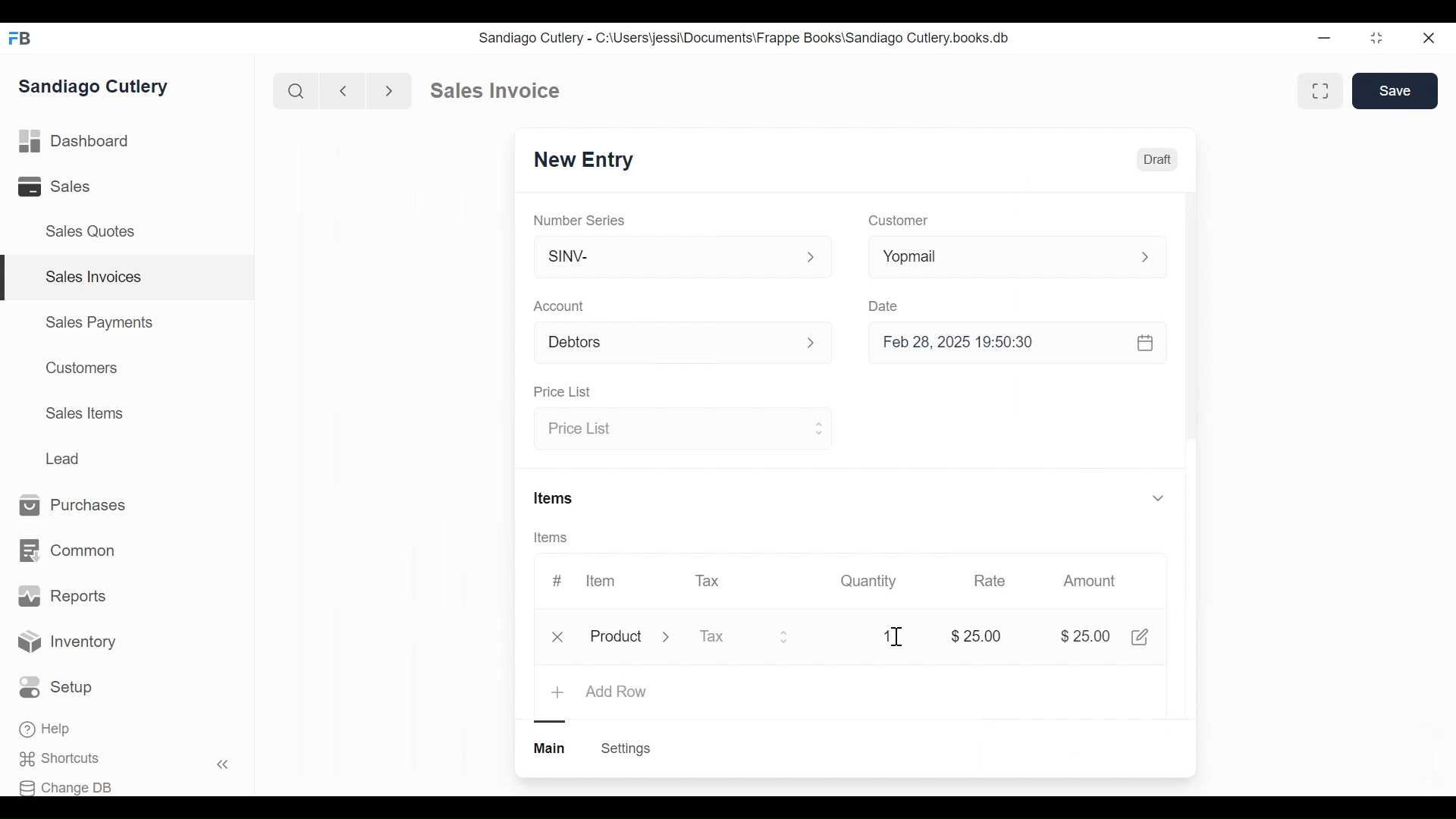 The width and height of the screenshot is (1456, 819). I want to click on Tax , so click(745, 639).